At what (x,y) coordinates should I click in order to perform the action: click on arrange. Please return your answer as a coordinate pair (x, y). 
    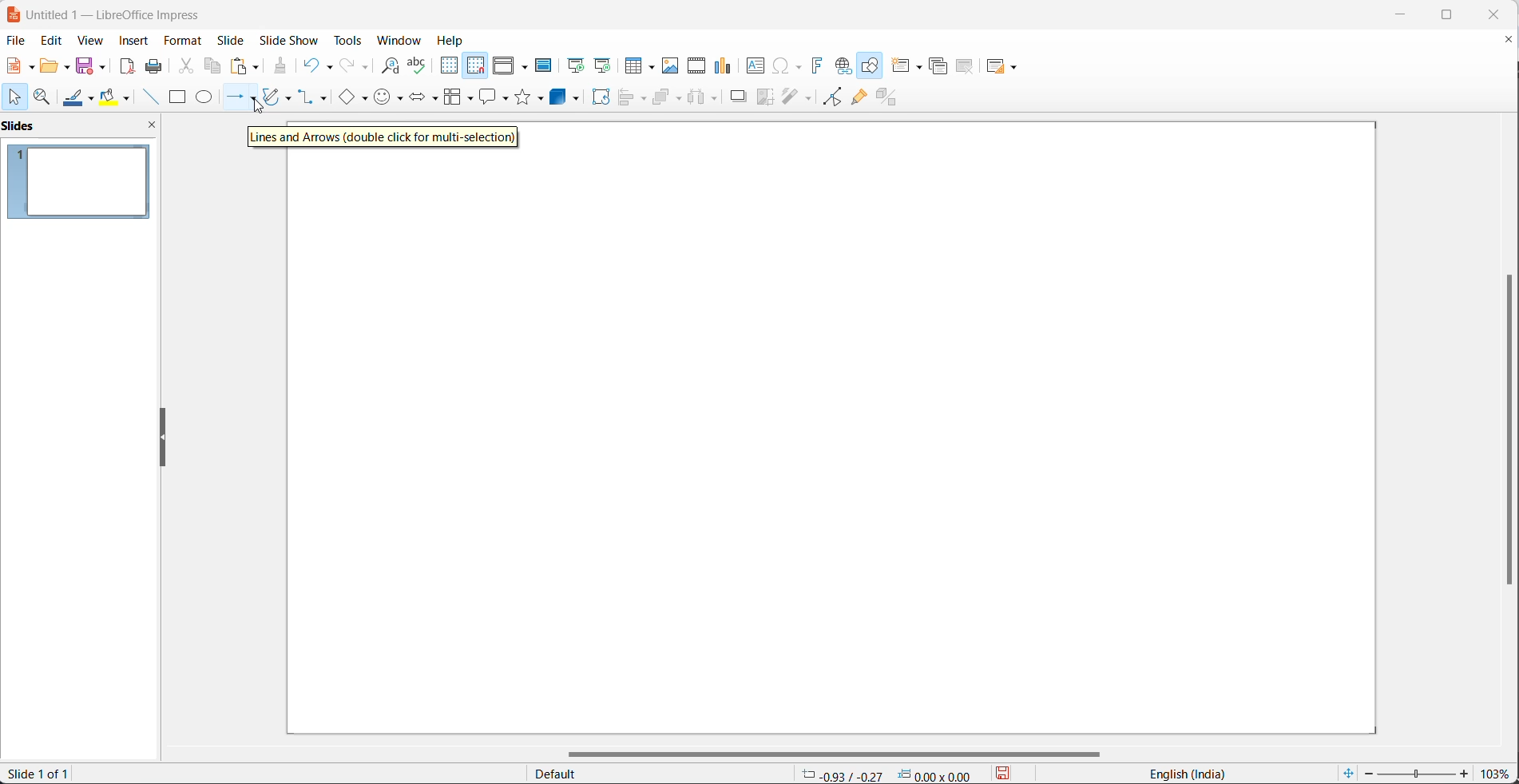
    Looking at the image, I should click on (668, 99).